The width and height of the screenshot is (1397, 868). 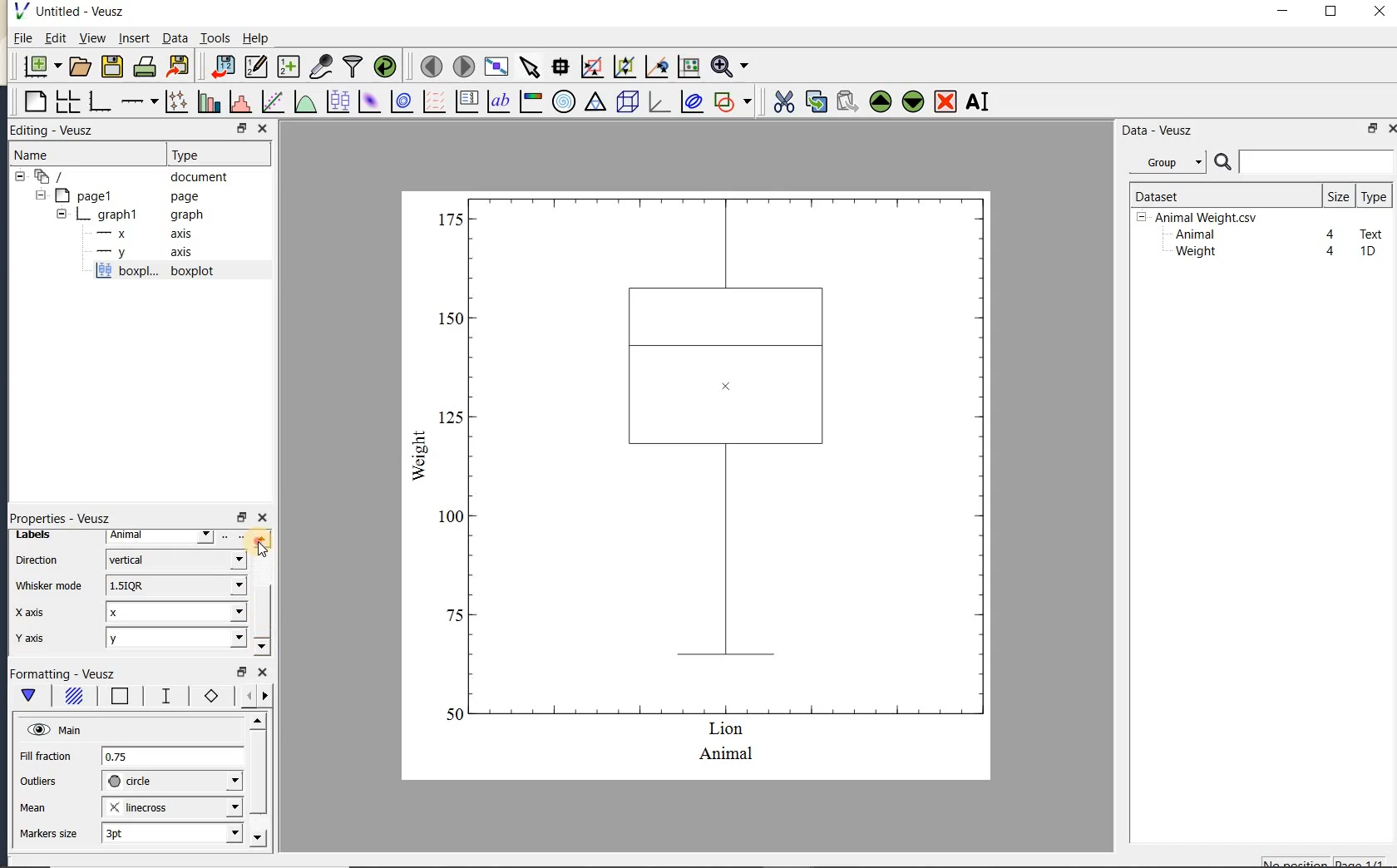 What do you see at coordinates (1331, 235) in the screenshot?
I see `4` at bounding box center [1331, 235].